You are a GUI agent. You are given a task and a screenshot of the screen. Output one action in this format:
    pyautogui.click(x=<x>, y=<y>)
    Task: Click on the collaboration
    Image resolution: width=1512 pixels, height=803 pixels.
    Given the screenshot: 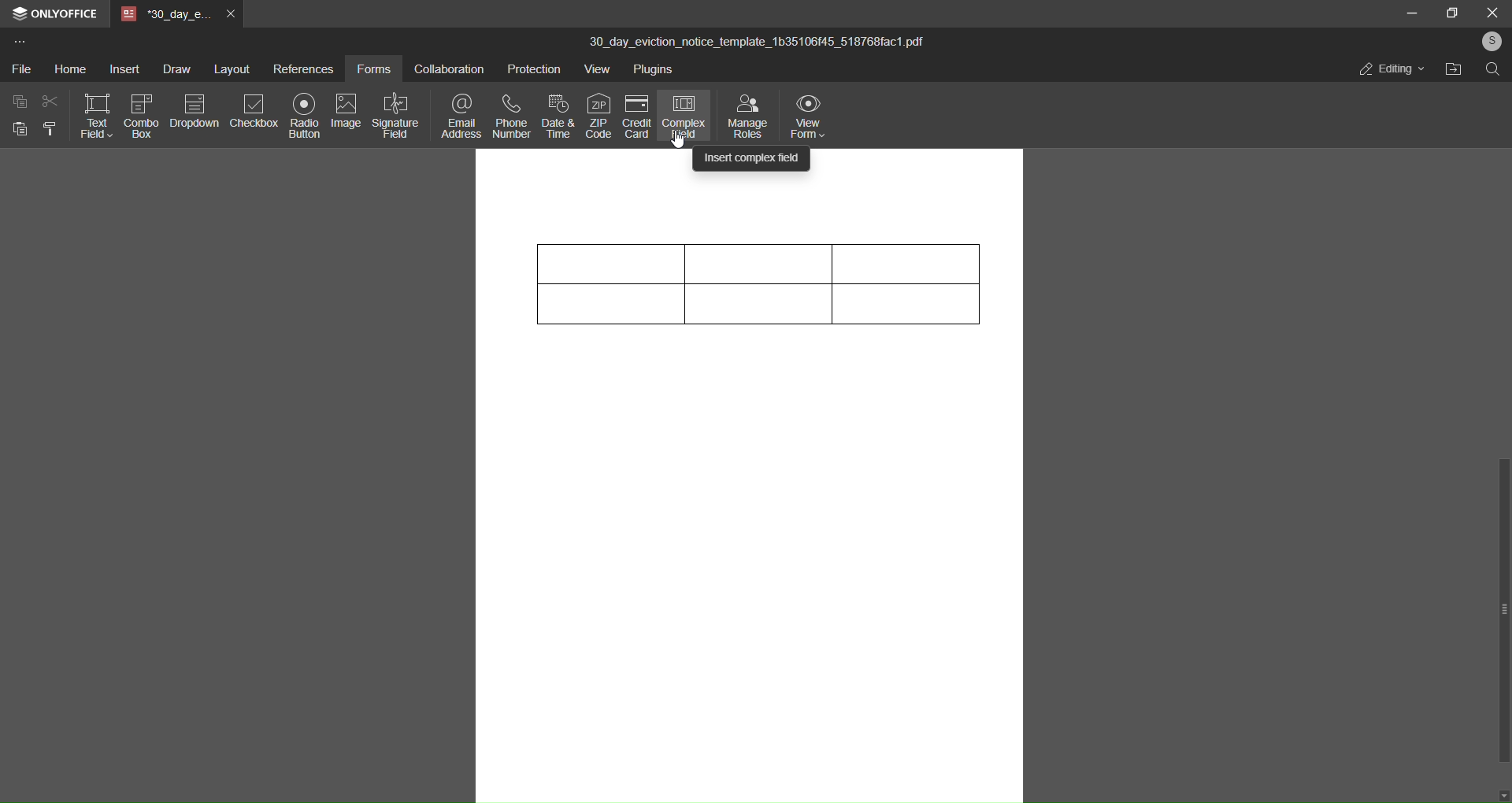 What is the action you would take?
    pyautogui.click(x=447, y=71)
    